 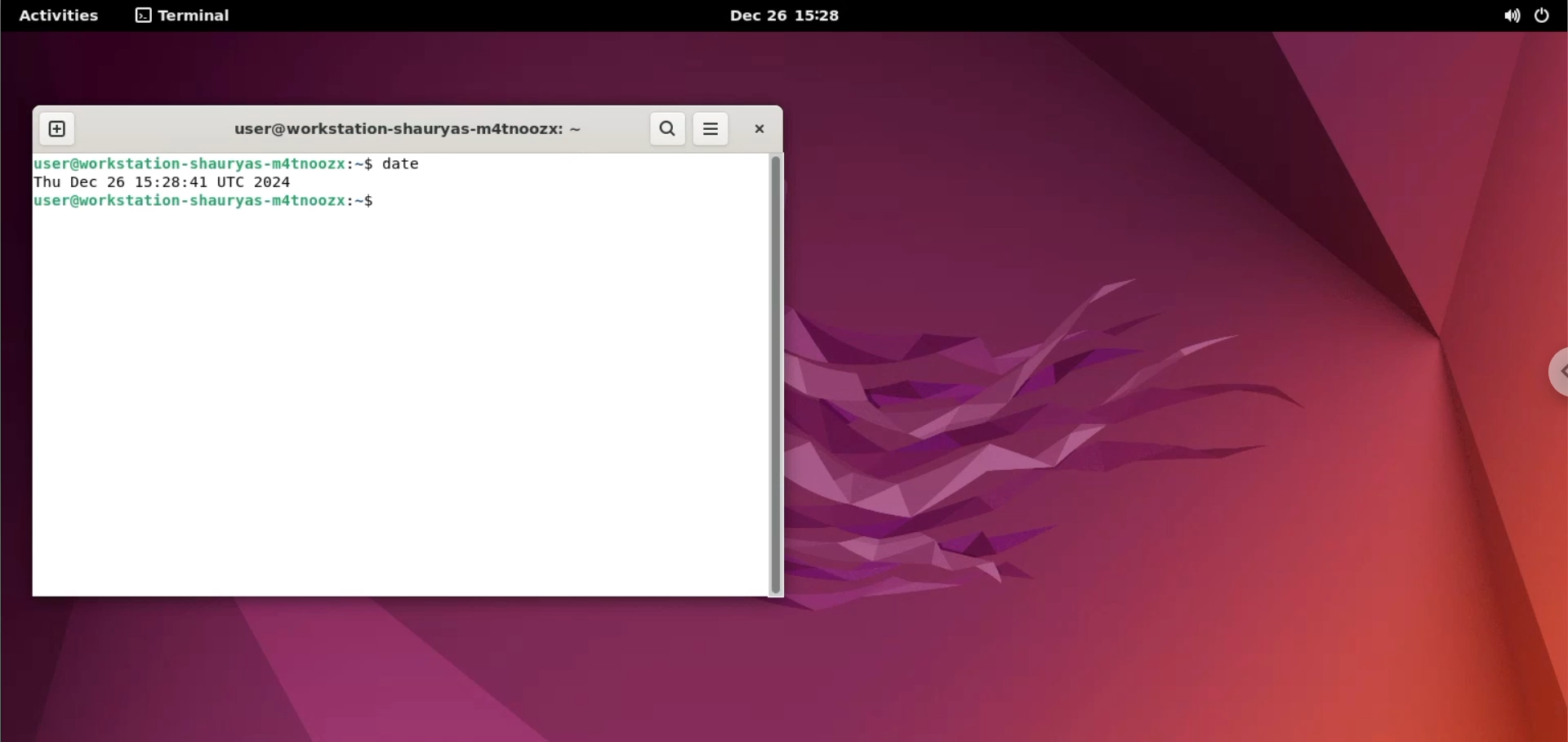 I want to click on terminal, so click(x=188, y=17).